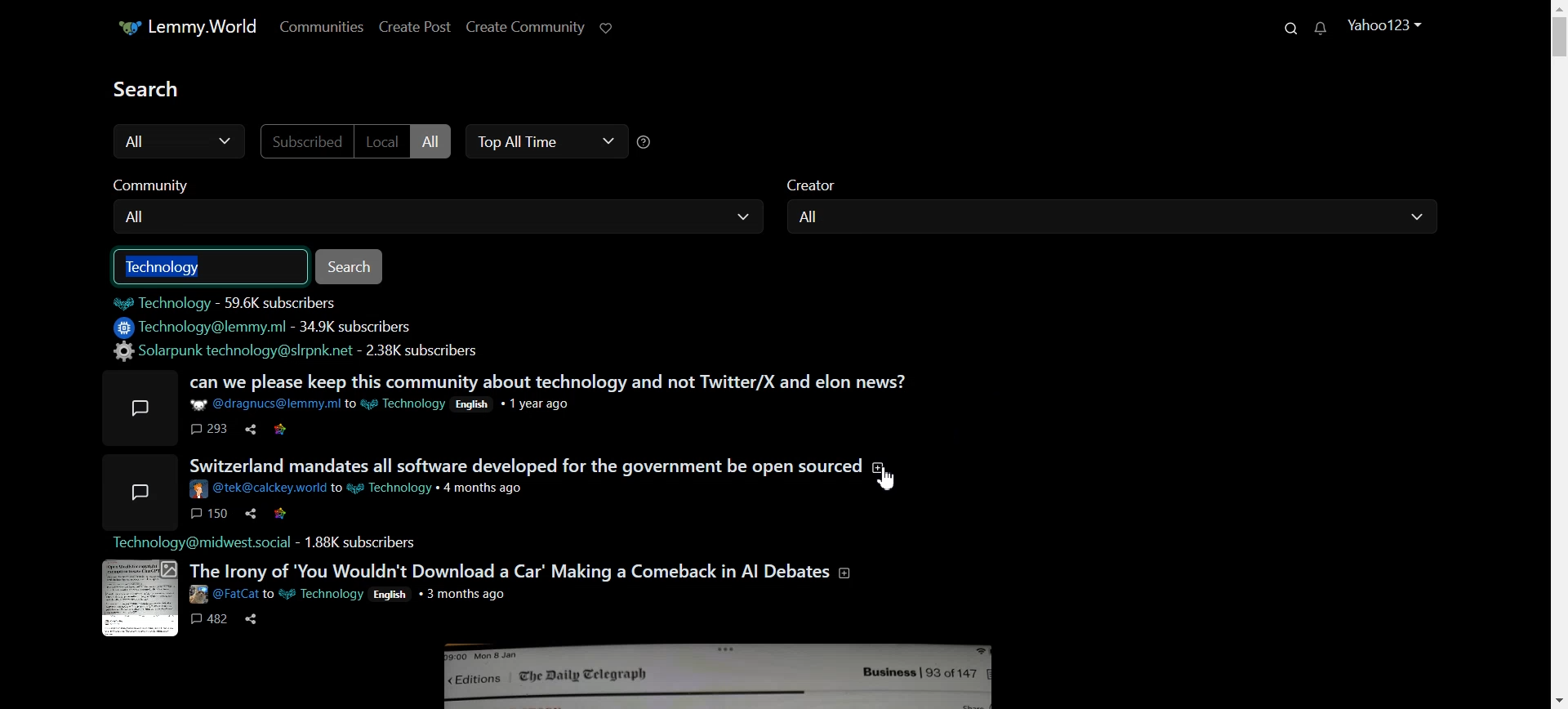  I want to click on Technology, so click(212, 265).